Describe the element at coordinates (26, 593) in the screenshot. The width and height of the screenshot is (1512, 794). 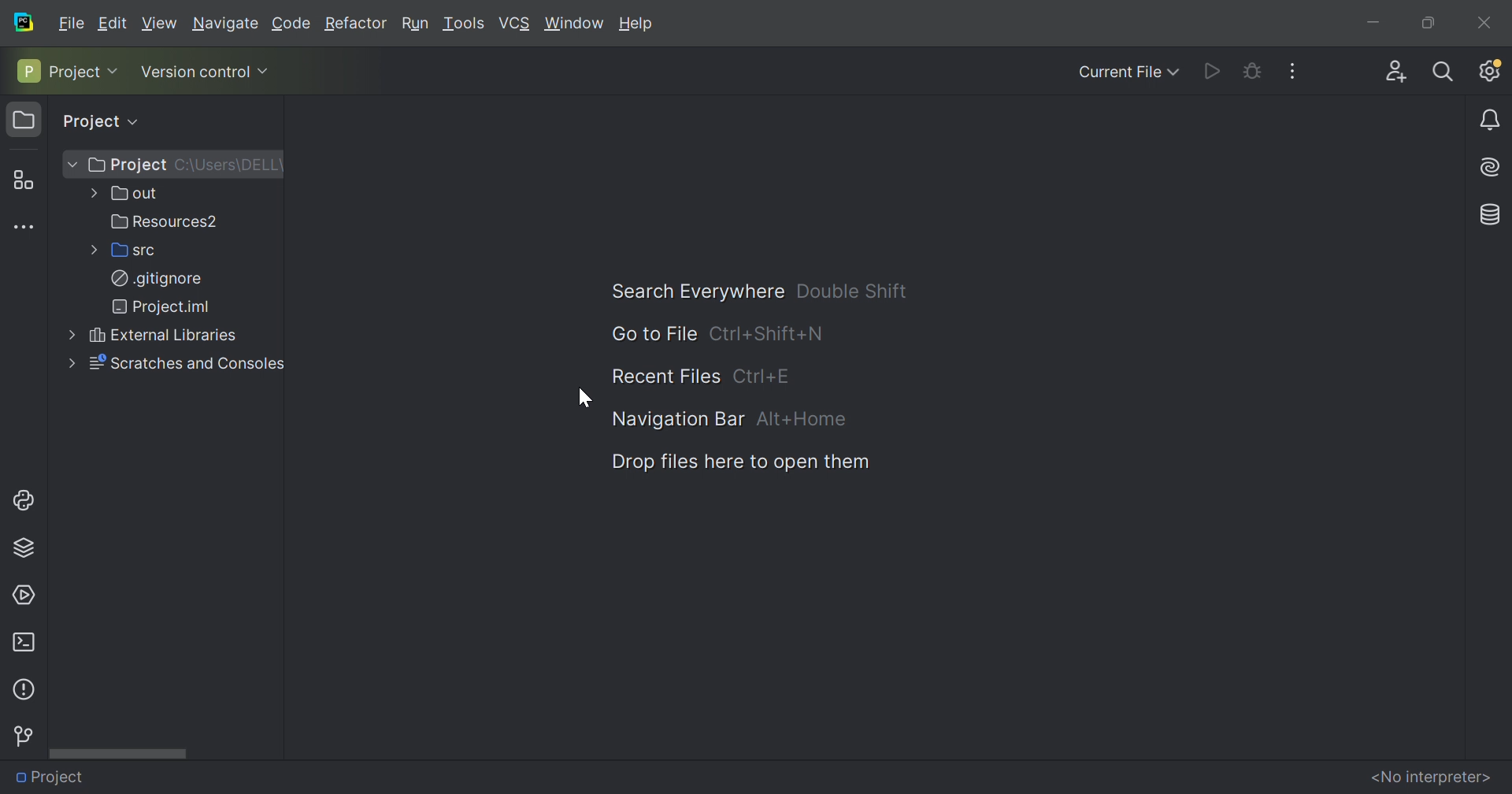
I see `Services` at that location.